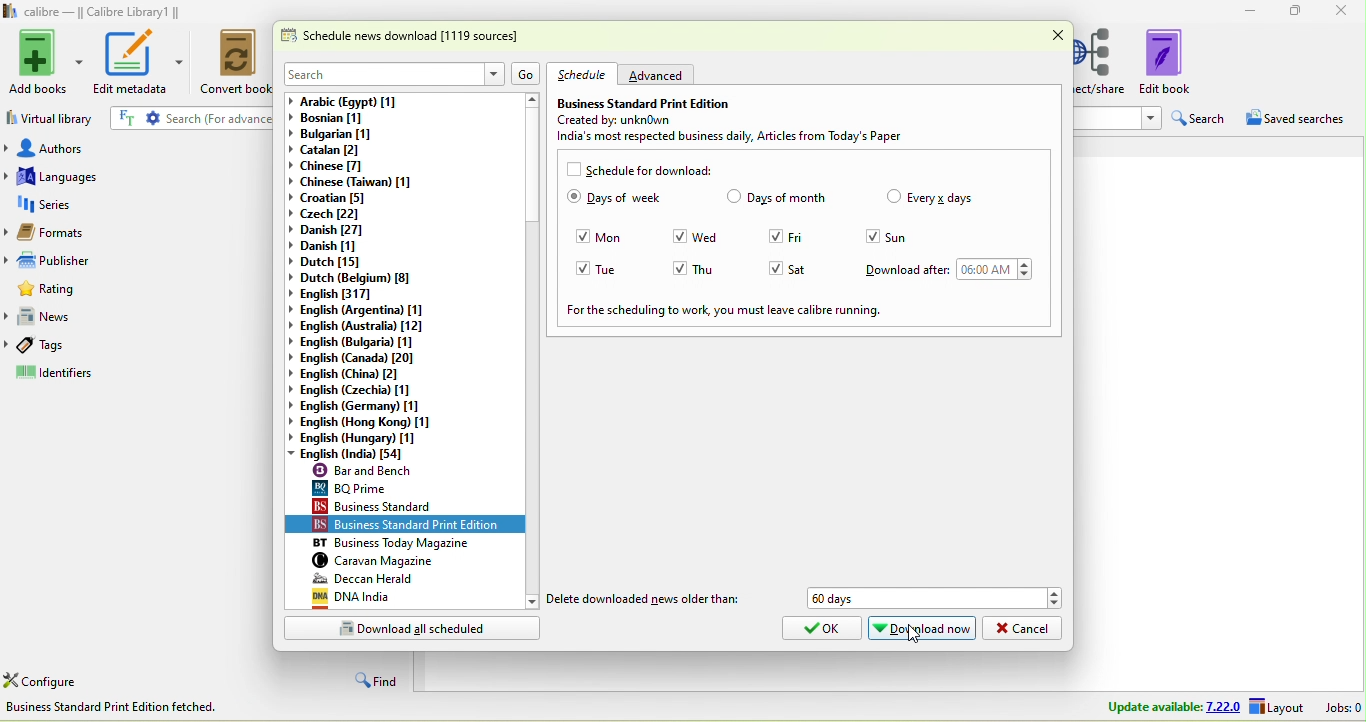 Image resolution: width=1366 pixels, height=722 pixels. I want to click on download after, so click(907, 269).